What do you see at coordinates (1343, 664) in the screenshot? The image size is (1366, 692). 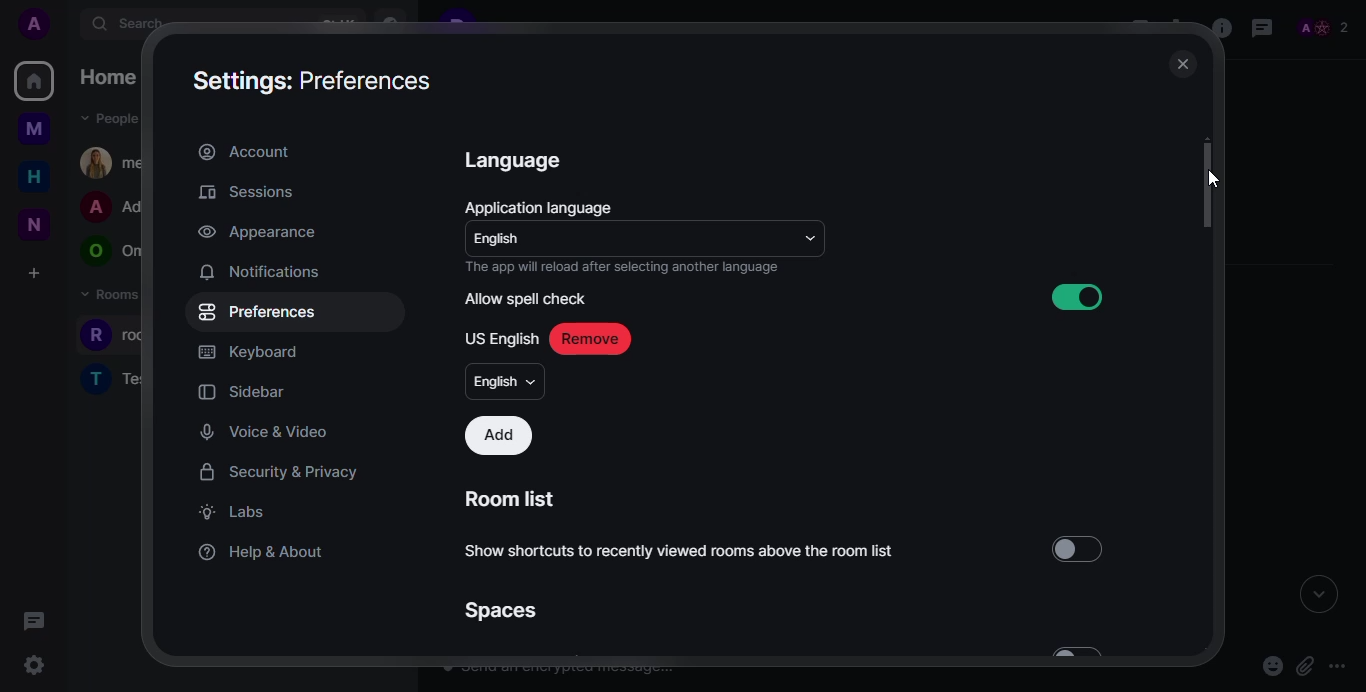 I see `more` at bounding box center [1343, 664].